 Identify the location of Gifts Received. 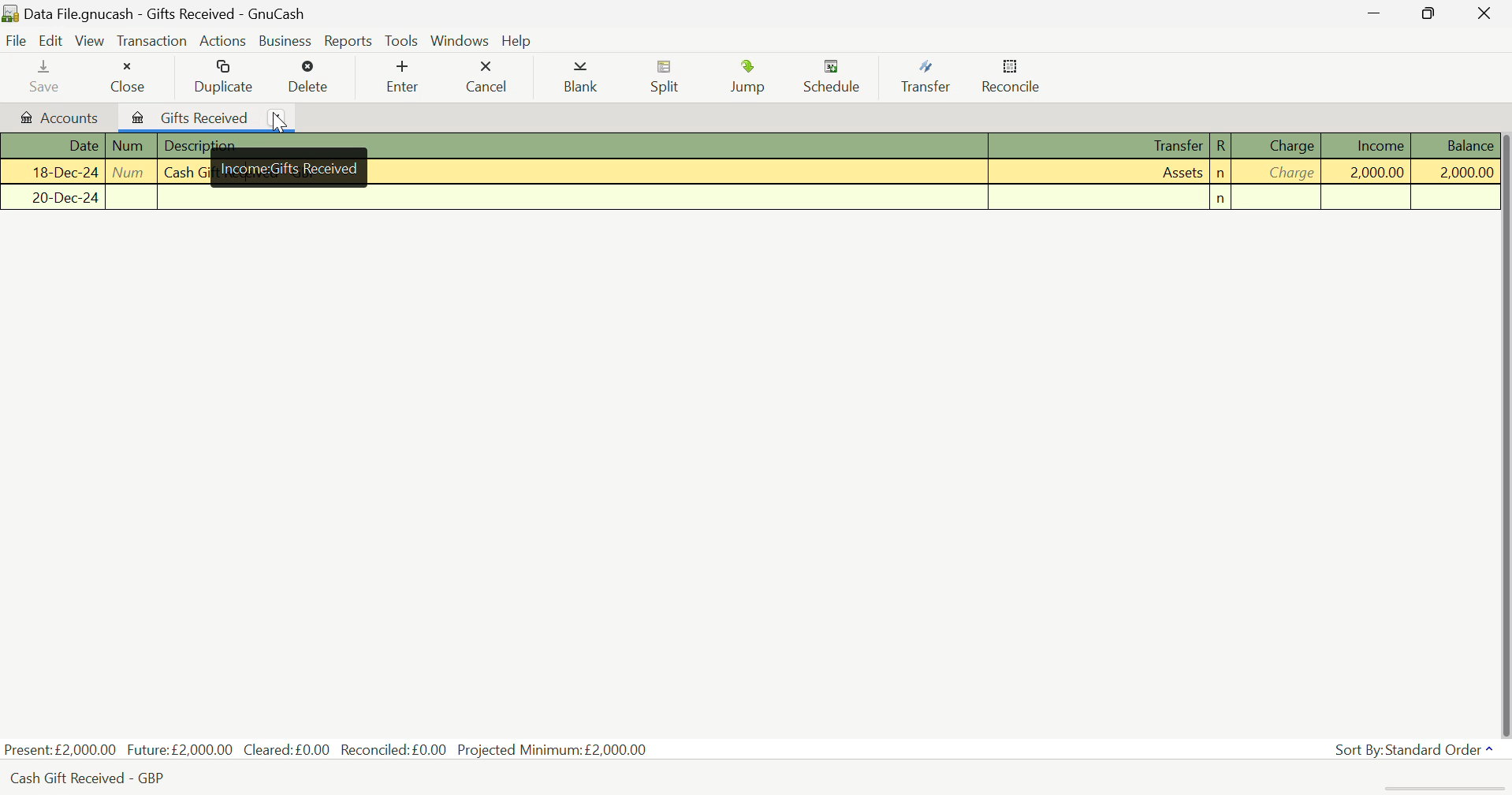
(289, 174).